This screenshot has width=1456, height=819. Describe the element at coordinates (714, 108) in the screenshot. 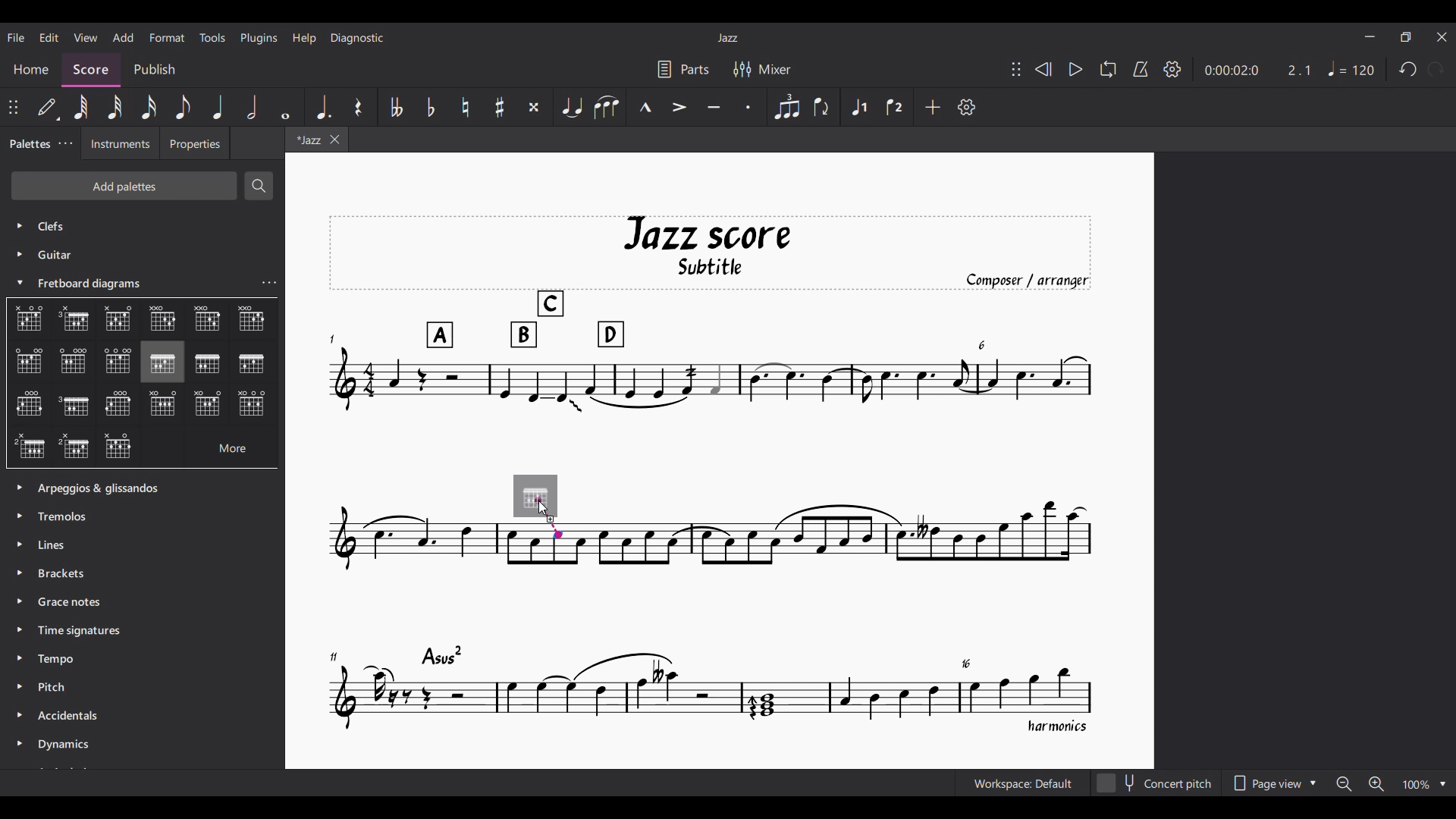

I see `Tenuto` at that location.